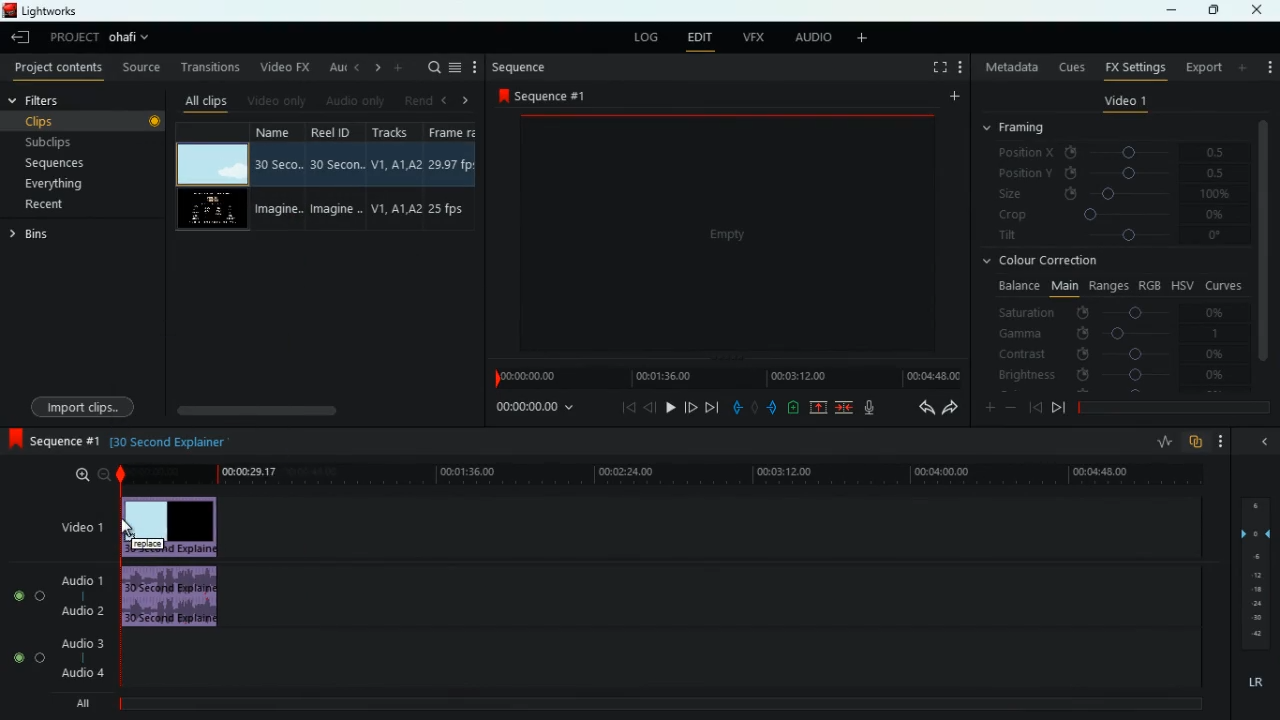 The image size is (1280, 720). I want to click on transitions, so click(207, 66).